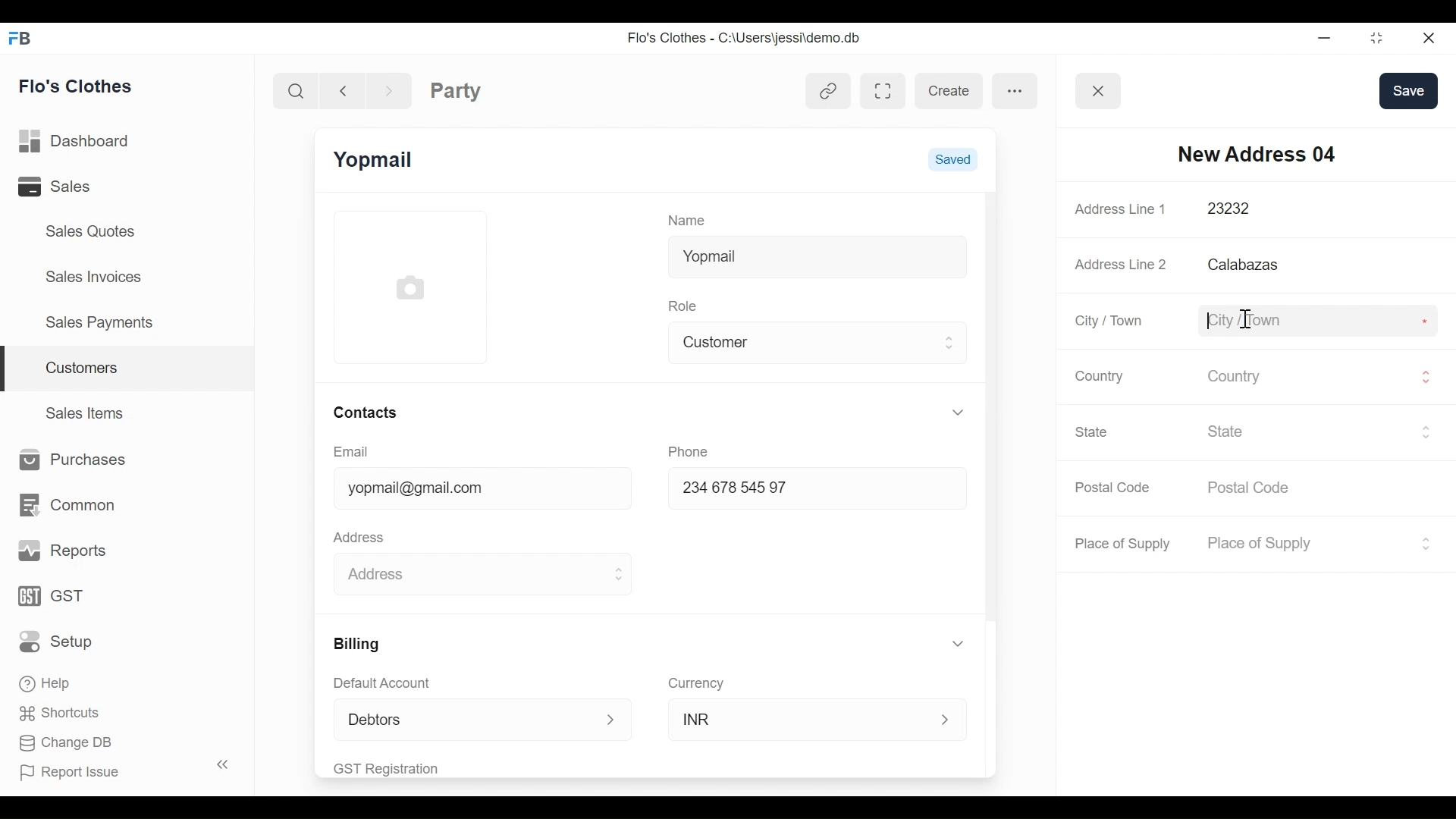 This screenshot has width=1456, height=819. Describe the element at coordinates (55, 712) in the screenshot. I see `Shortcuts` at that location.